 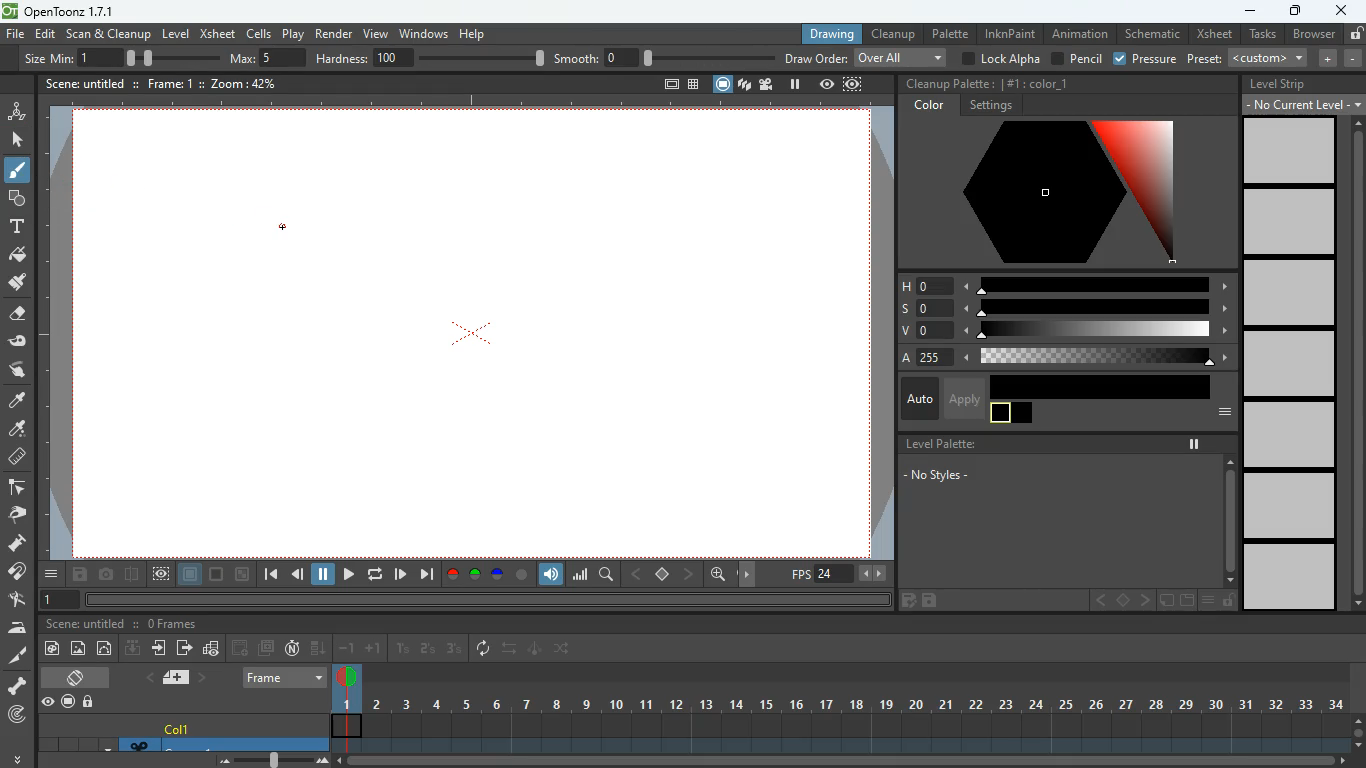 What do you see at coordinates (428, 649) in the screenshot?
I see `2` at bounding box center [428, 649].